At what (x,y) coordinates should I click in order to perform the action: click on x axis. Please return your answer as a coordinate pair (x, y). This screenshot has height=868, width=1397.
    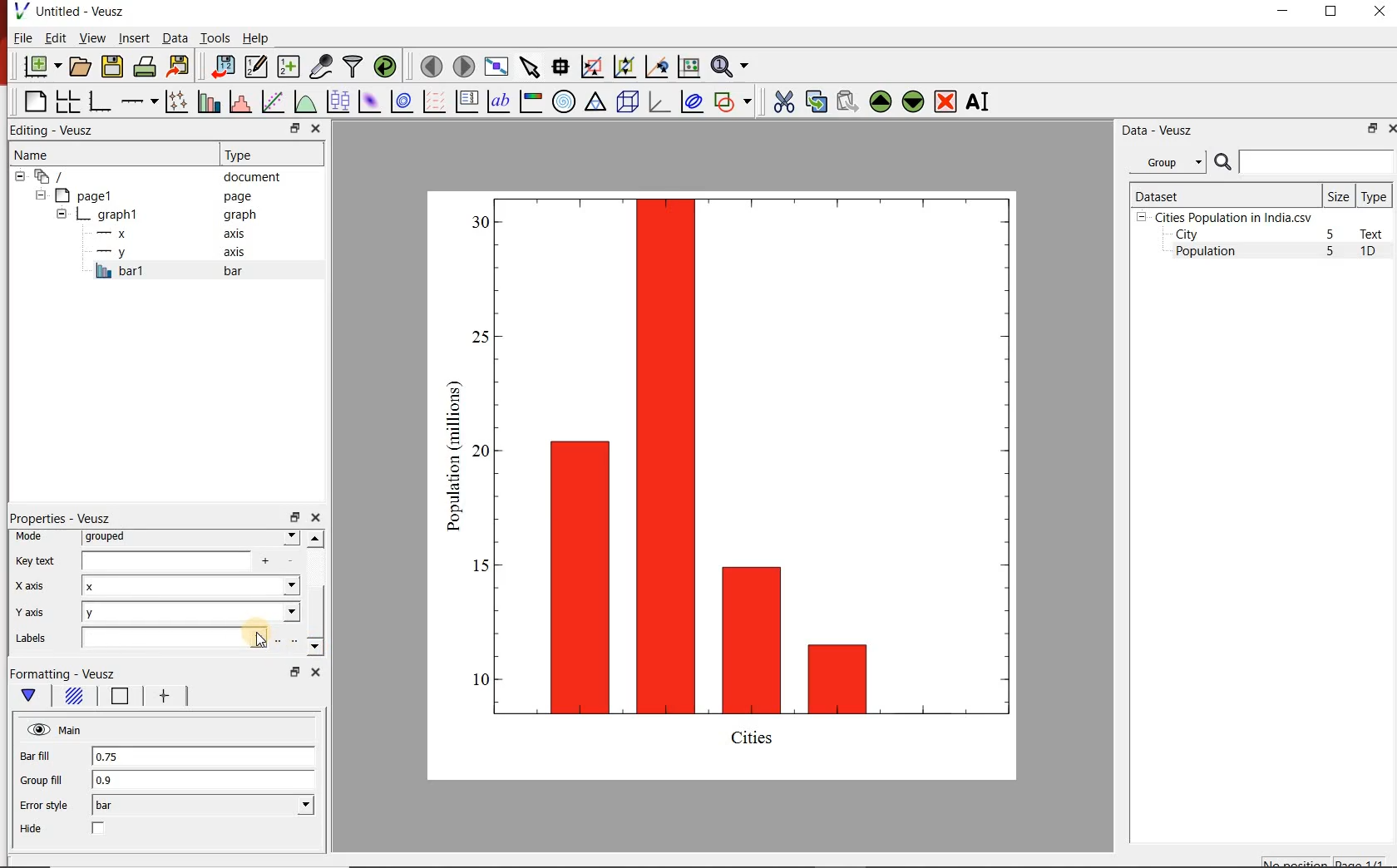
    Looking at the image, I should click on (173, 234).